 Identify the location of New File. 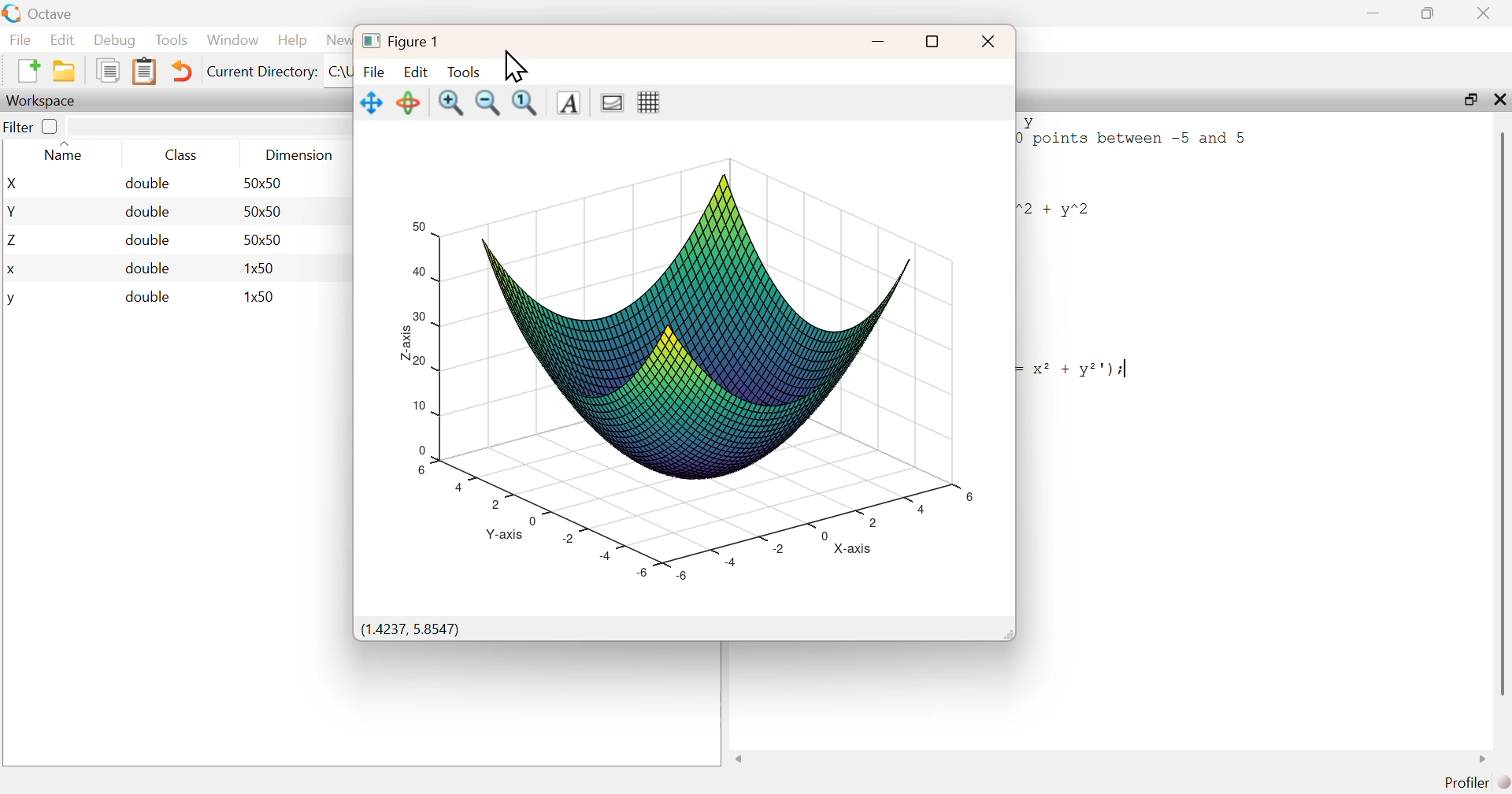
(28, 71).